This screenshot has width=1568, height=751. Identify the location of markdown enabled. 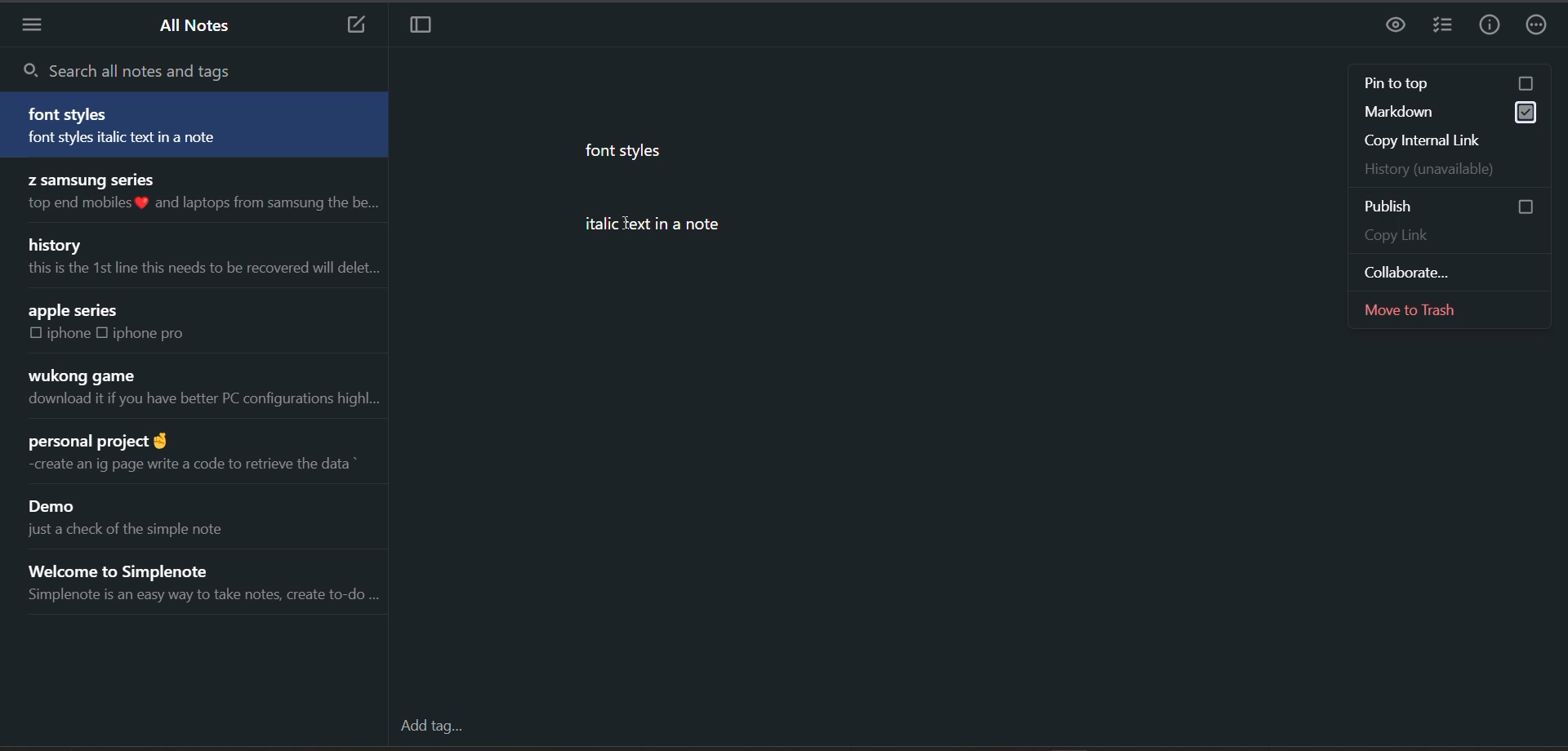
(1454, 111).